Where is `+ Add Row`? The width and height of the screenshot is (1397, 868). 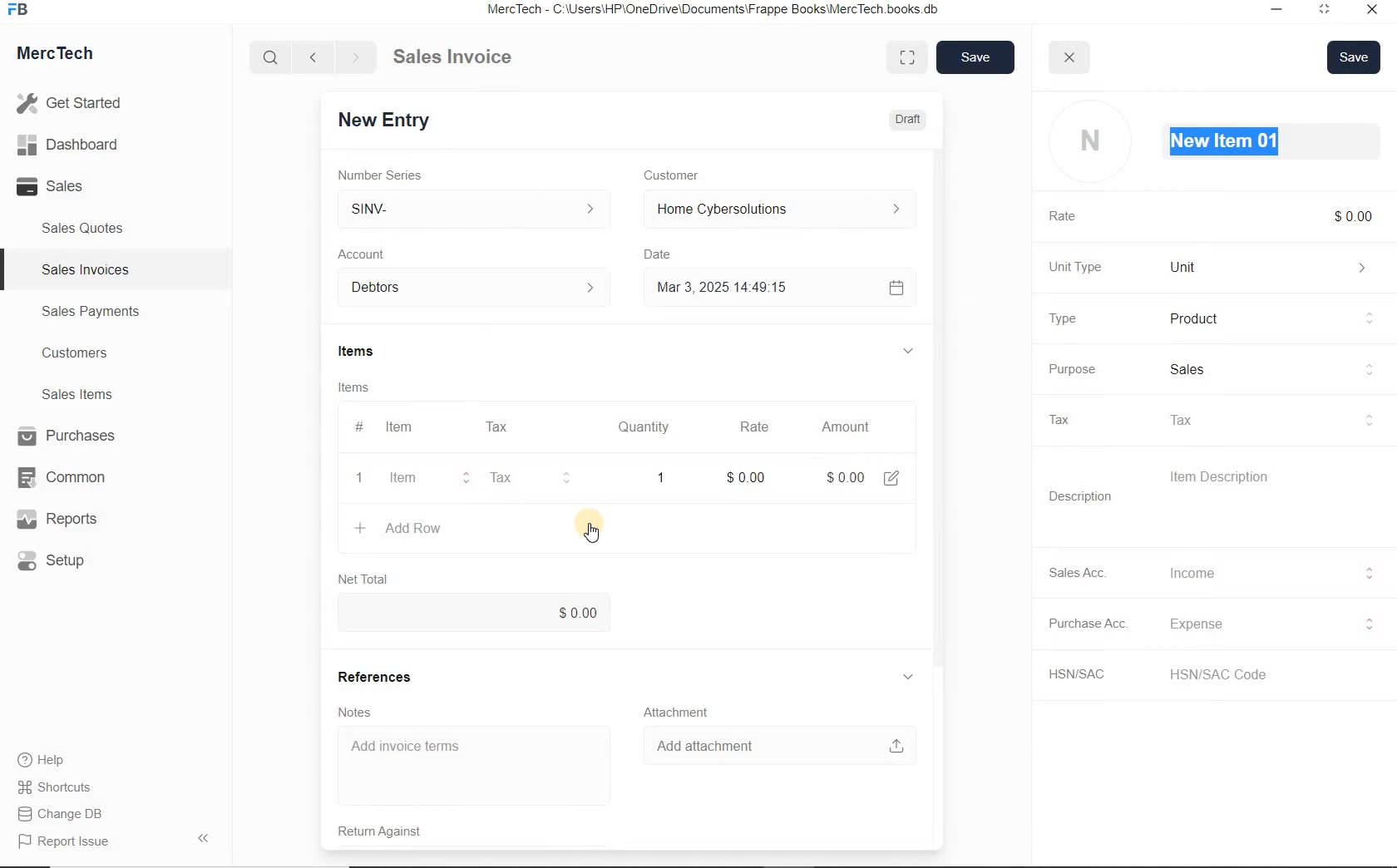 + Add Row is located at coordinates (417, 529).